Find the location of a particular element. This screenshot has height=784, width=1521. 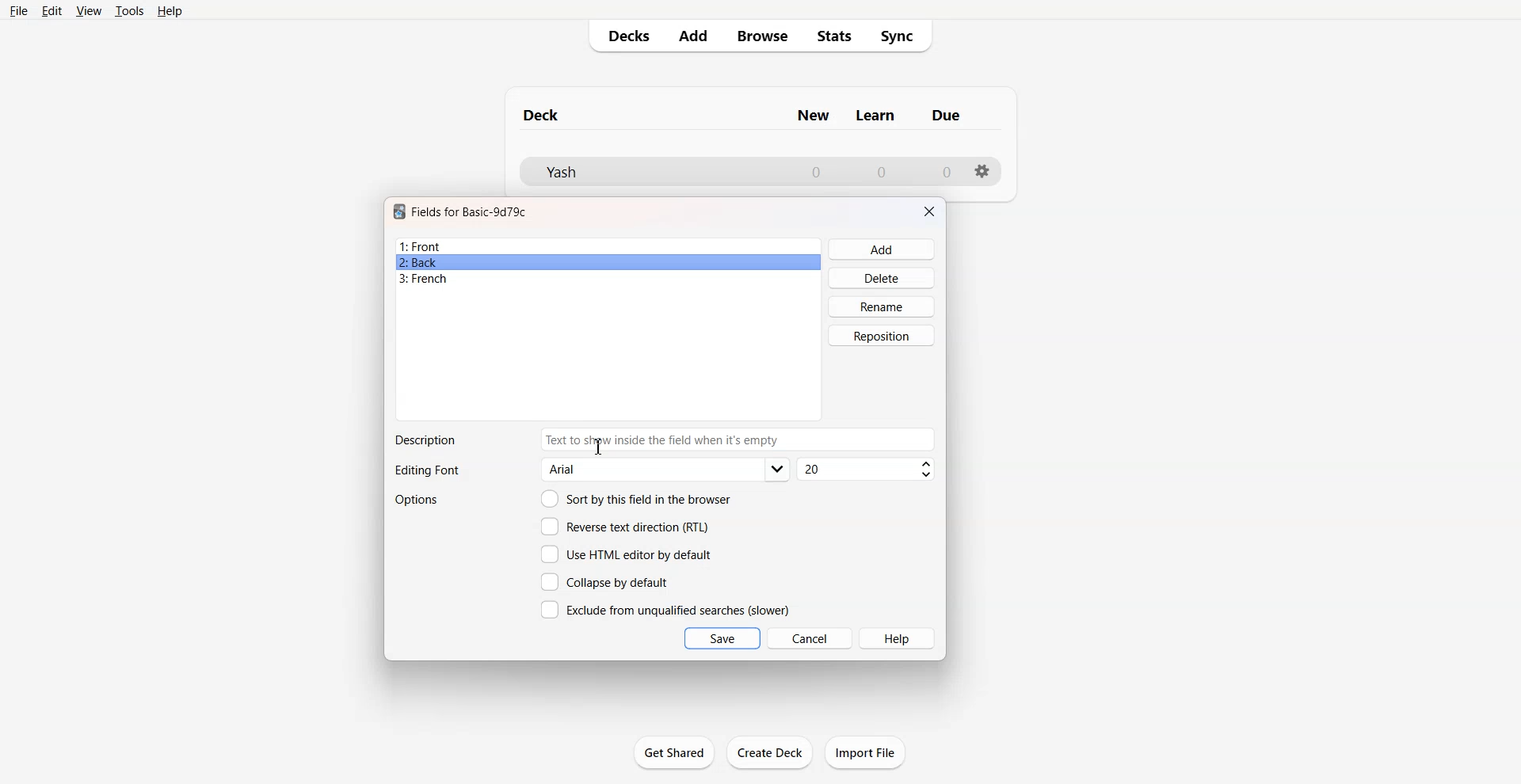

Decks is located at coordinates (623, 36).